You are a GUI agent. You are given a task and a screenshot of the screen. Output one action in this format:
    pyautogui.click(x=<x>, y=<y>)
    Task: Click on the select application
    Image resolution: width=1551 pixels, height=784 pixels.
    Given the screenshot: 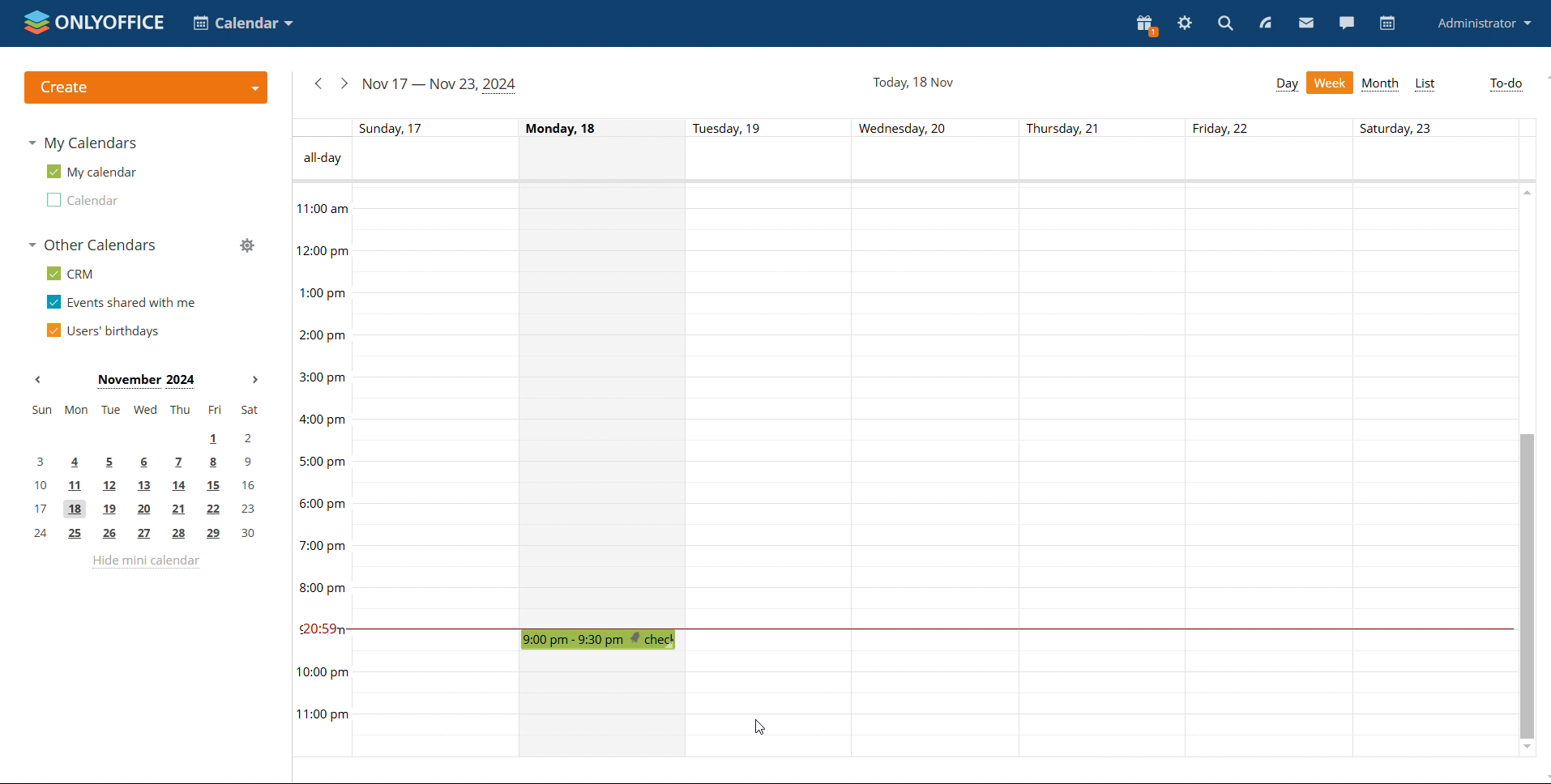 What is the action you would take?
    pyautogui.click(x=245, y=23)
    